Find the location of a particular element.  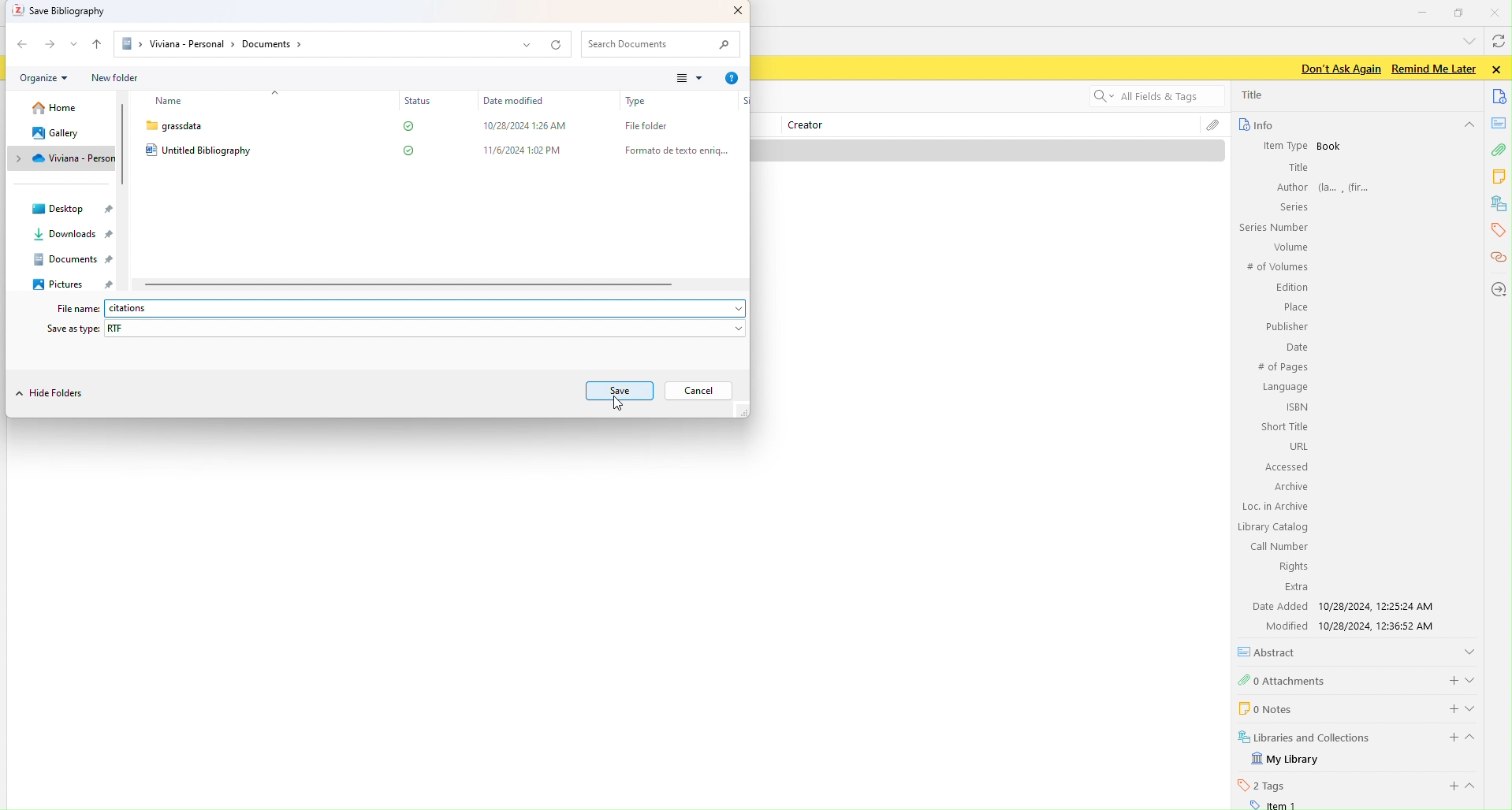

add is located at coordinates (1444, 707).